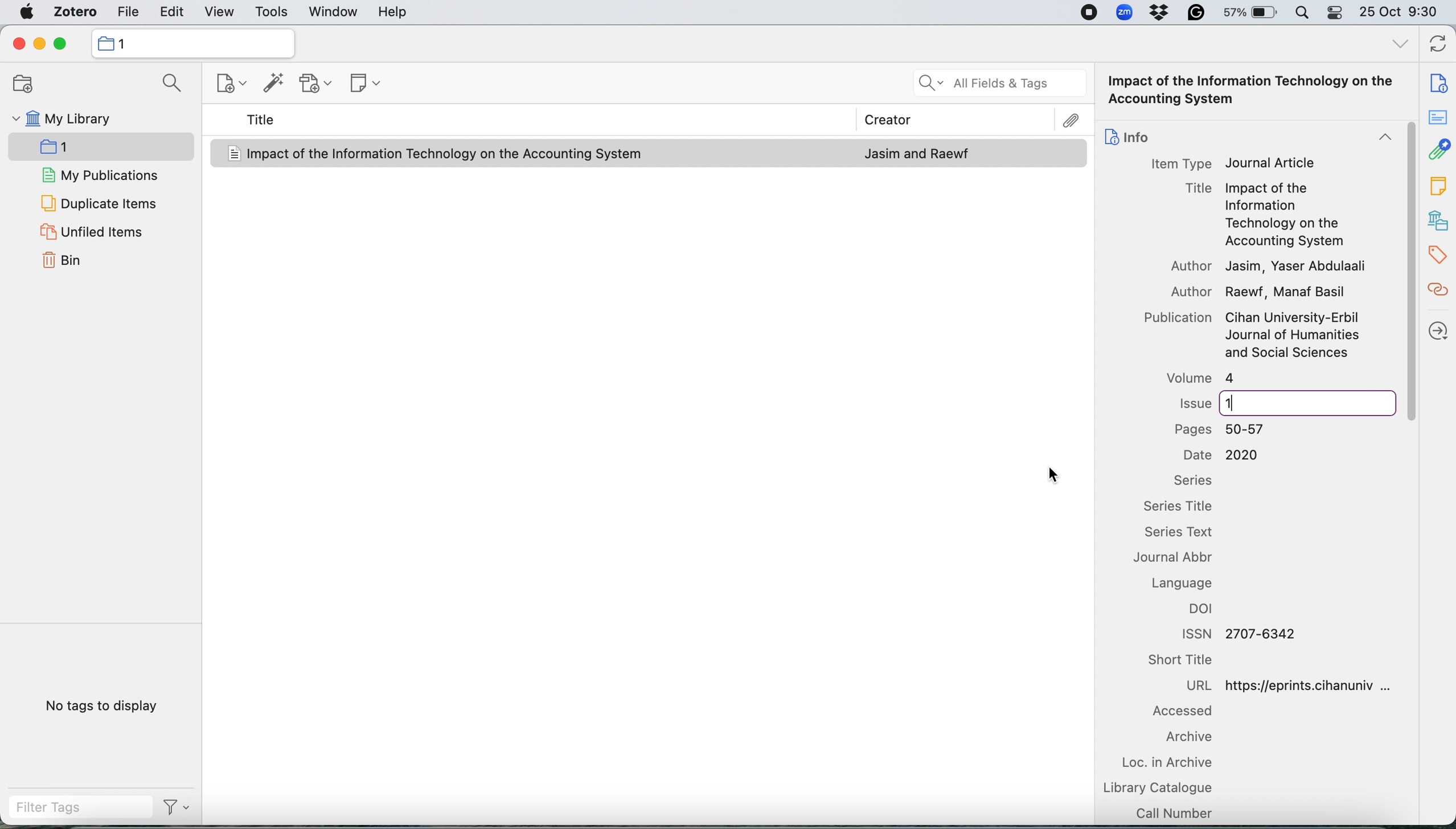 Image resolution: width=1456 pixels, height=829 pixels. I want to click on Publication, so click(1175, 319).